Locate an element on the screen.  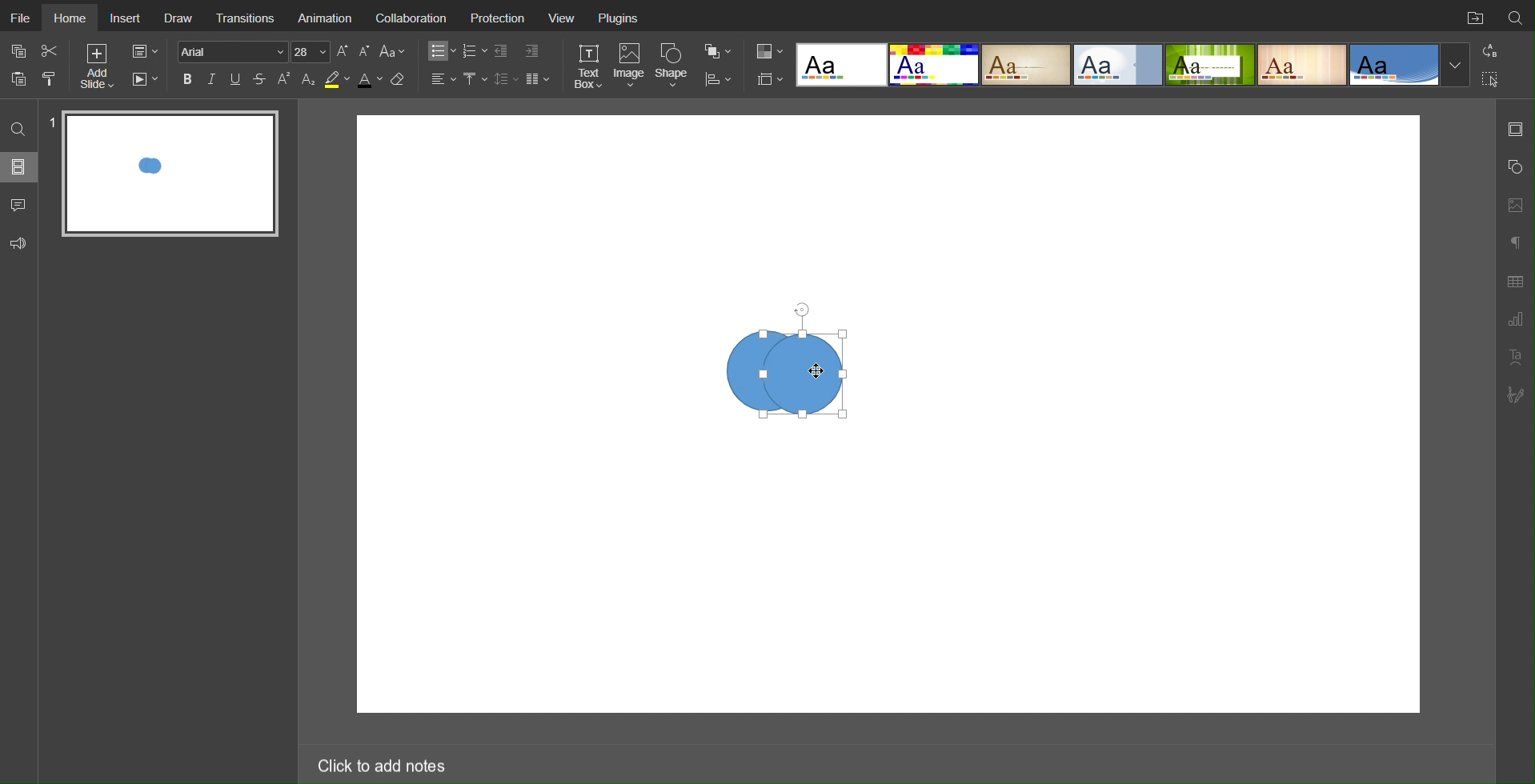
Shape  is located at coordinates (675, 65).